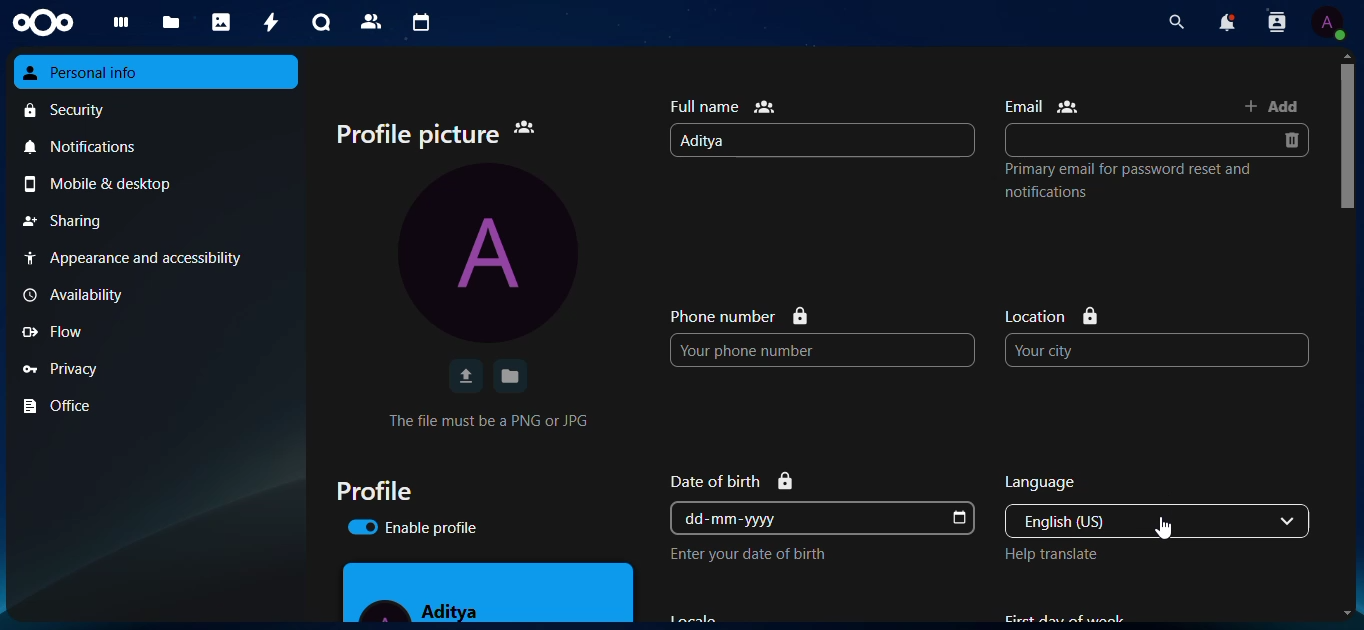 This screenshot has width=1364, height=630. What do you see at coordinates (1045, 106) in the screenshot?
I see `email` at bounding box center [1045, 106].